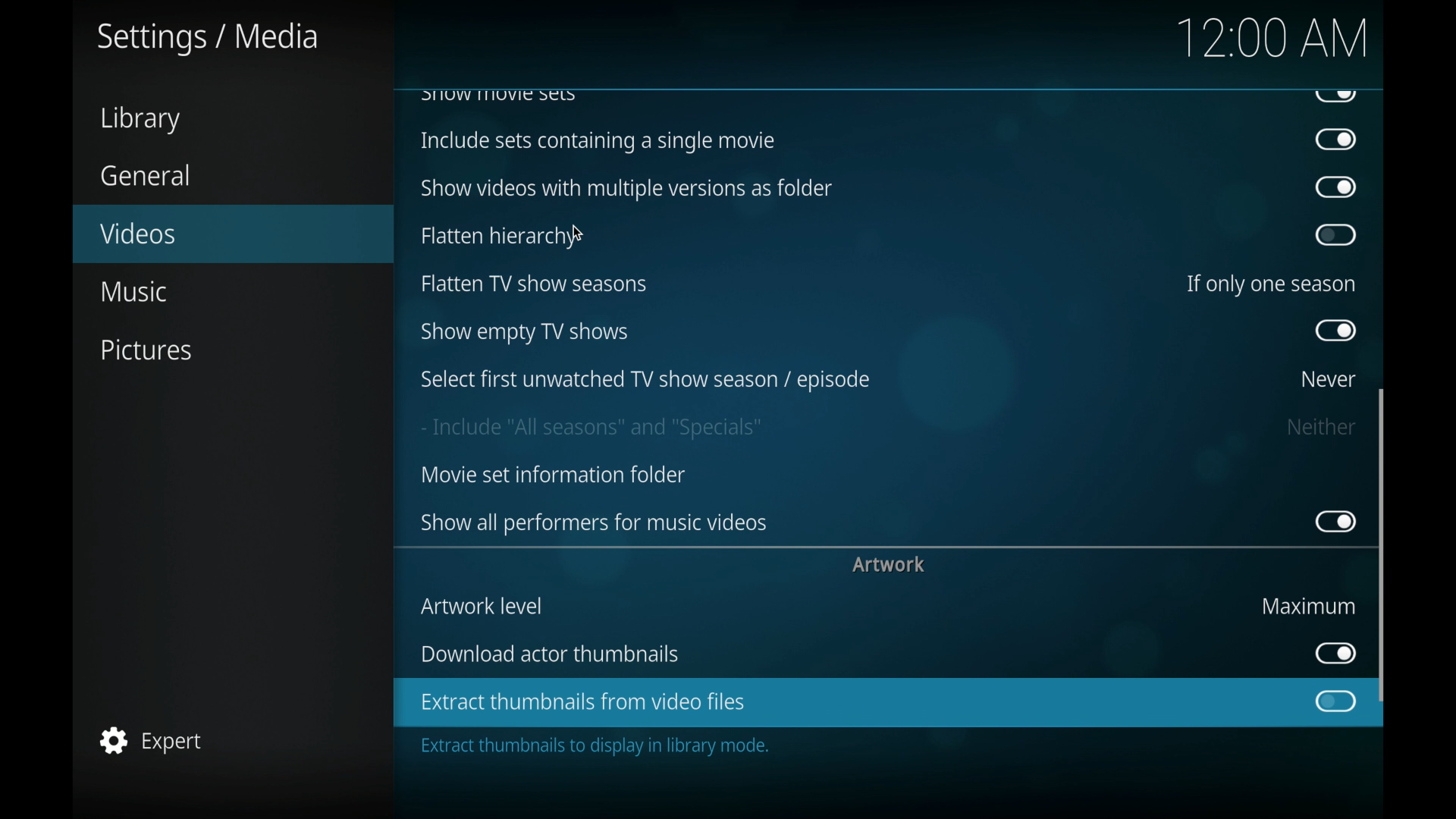 This screenshot has width=1456, height=819. What do you see at coordinates (535, 284) in the screenshot?
I see `flatten tv show seasons` at bounding box center [535, 284].